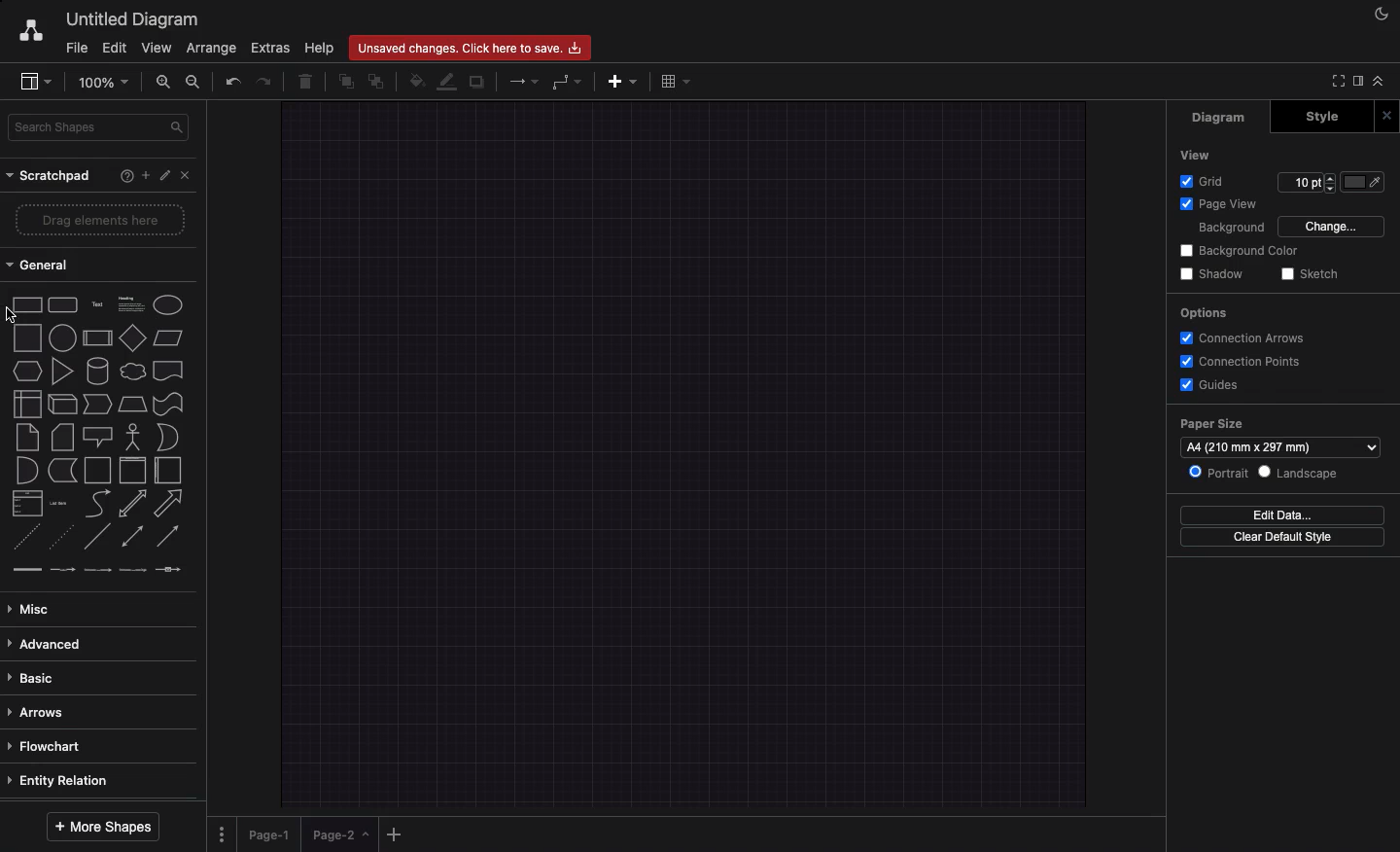 Image resolution: width=1400 pixels, height=852 pixels. I want to click on Redo, so click(266, 80).